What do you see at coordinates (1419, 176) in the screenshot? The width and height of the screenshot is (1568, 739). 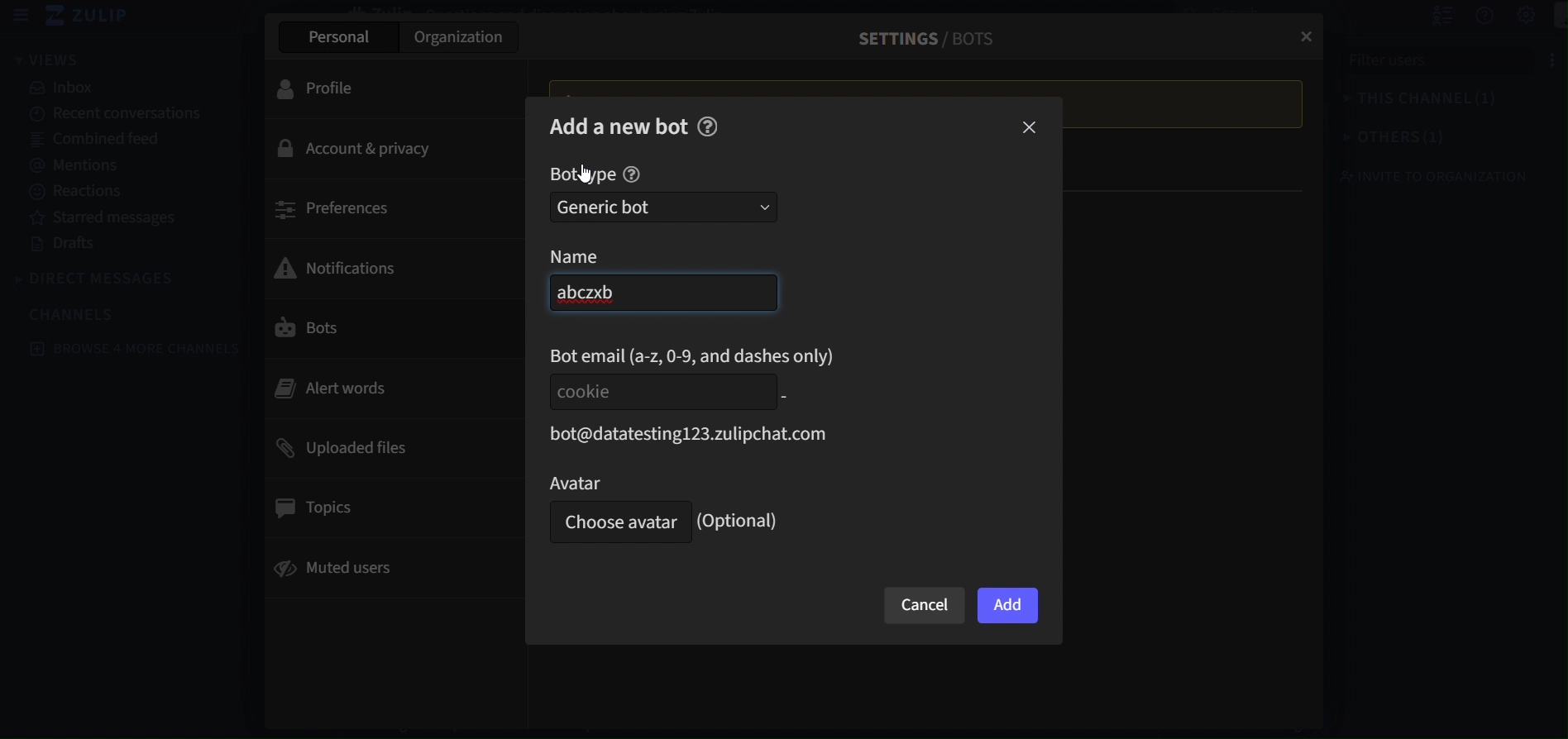 I see `invite to organization` at bounding box center [1419, 176].